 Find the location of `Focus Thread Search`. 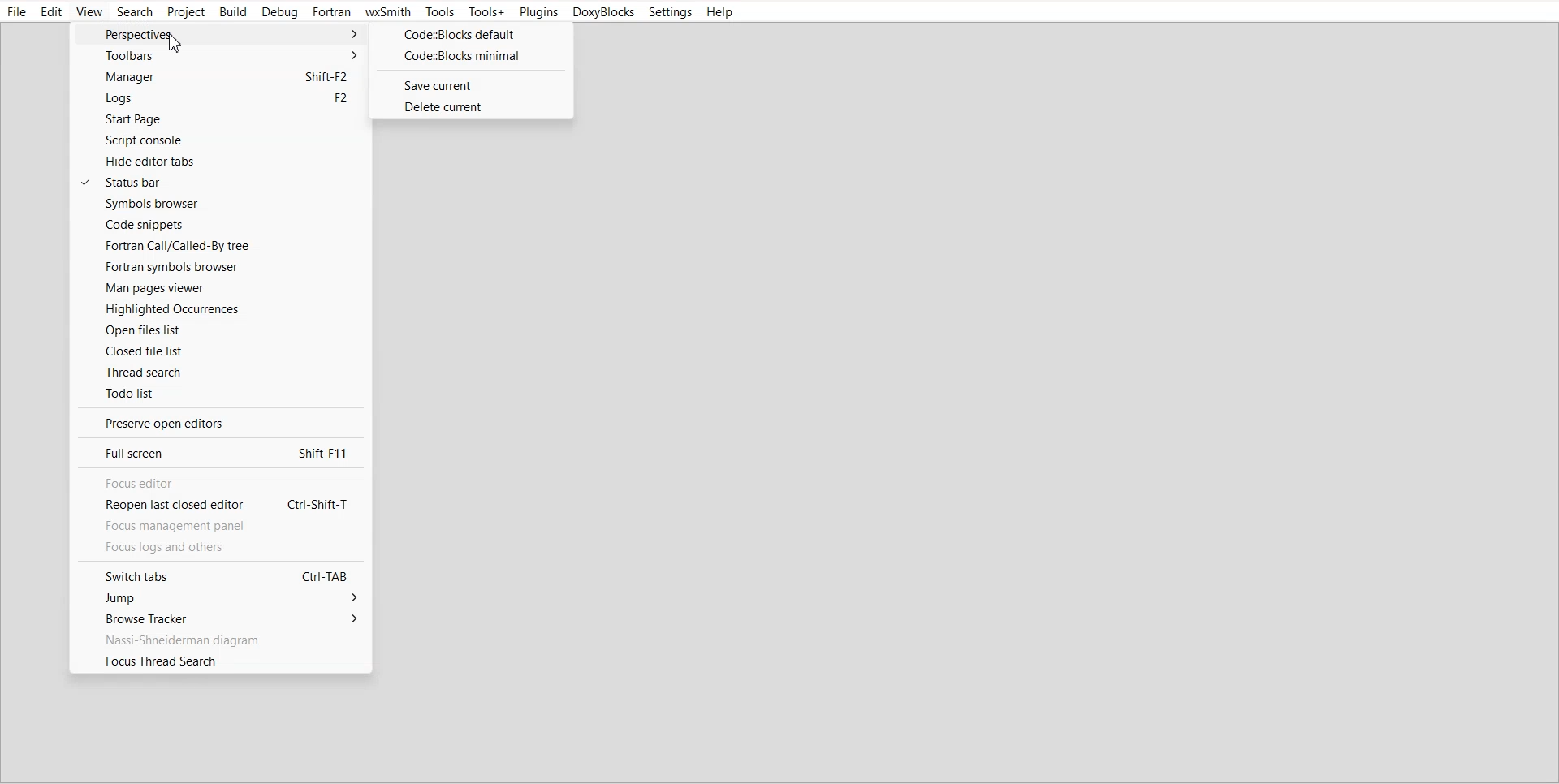

Focus Thread Search is located at coordinates (221, 661).